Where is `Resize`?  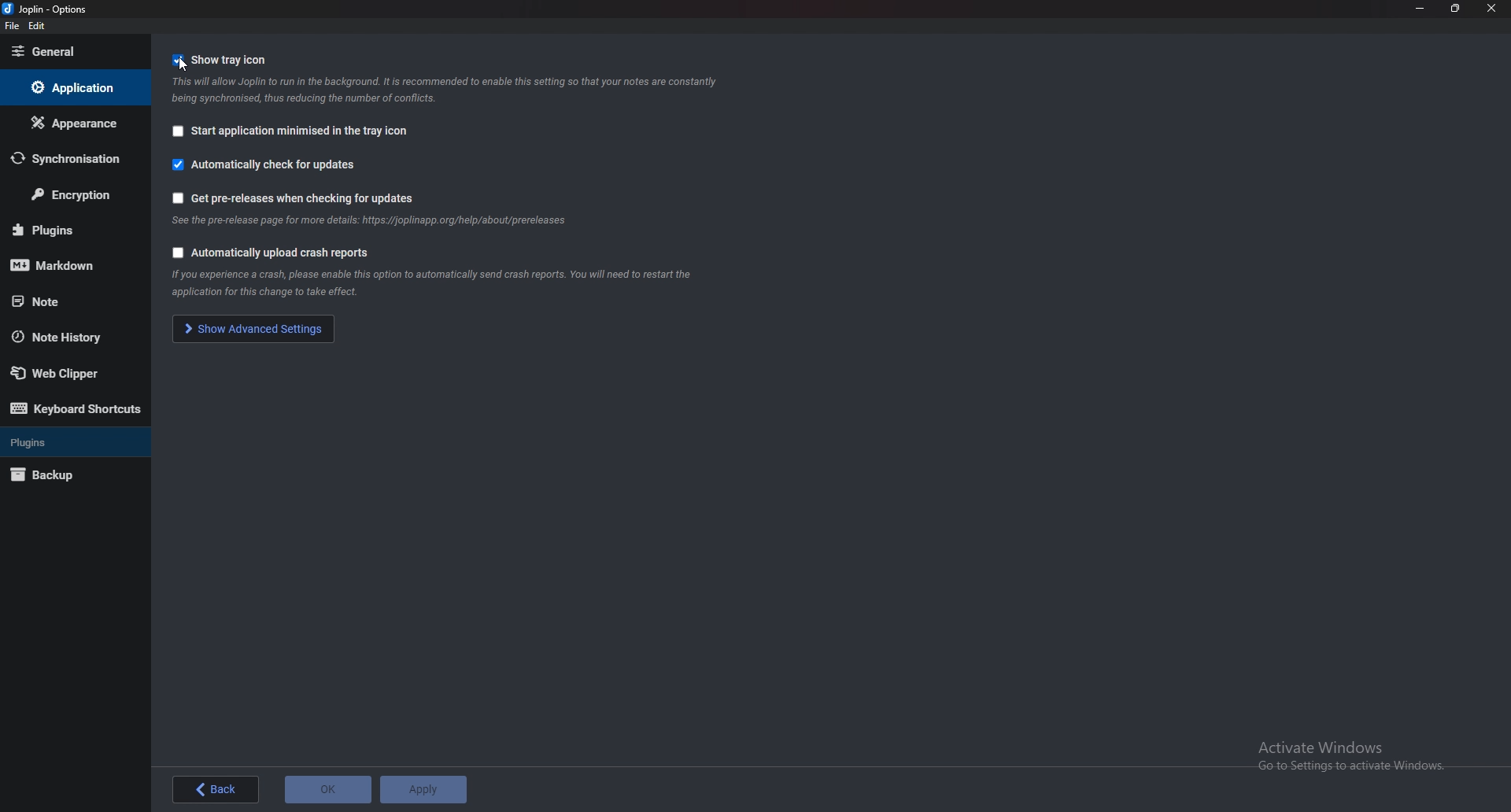 Resize is located at coordinates (1453, 9).